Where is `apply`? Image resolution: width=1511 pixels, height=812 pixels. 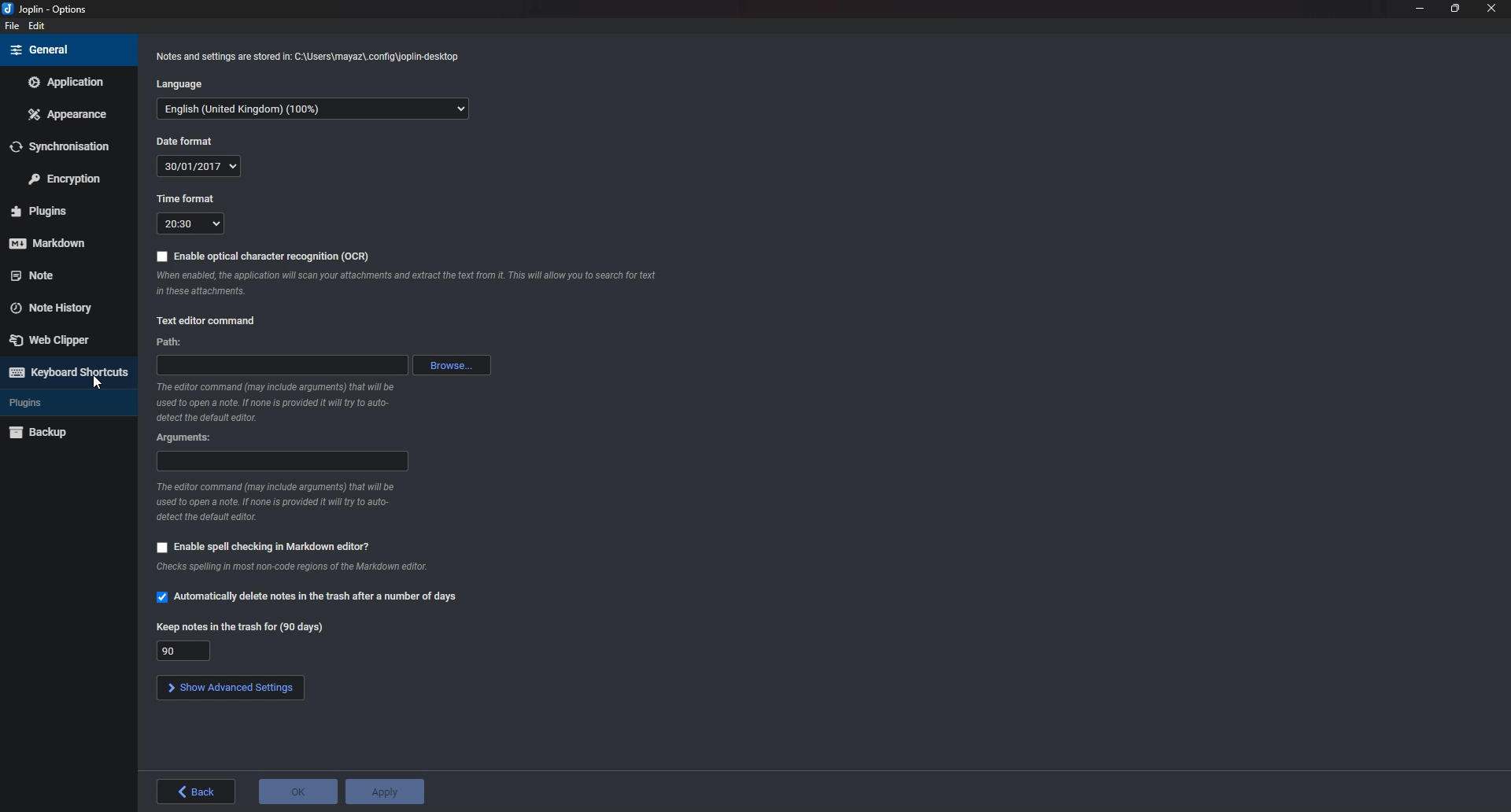
apply is located at coordinates (388, 791).